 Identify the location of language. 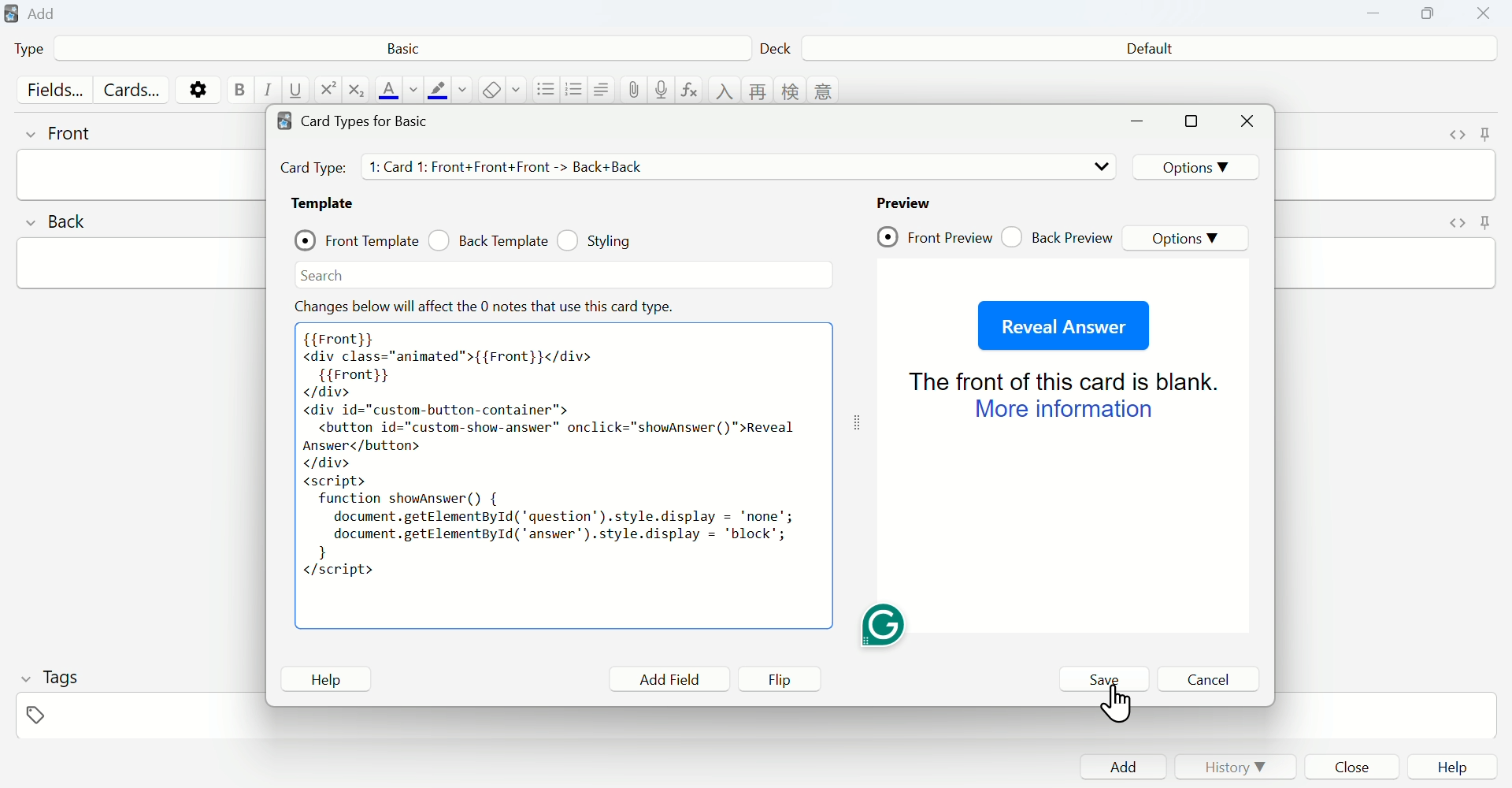
(756, 90).